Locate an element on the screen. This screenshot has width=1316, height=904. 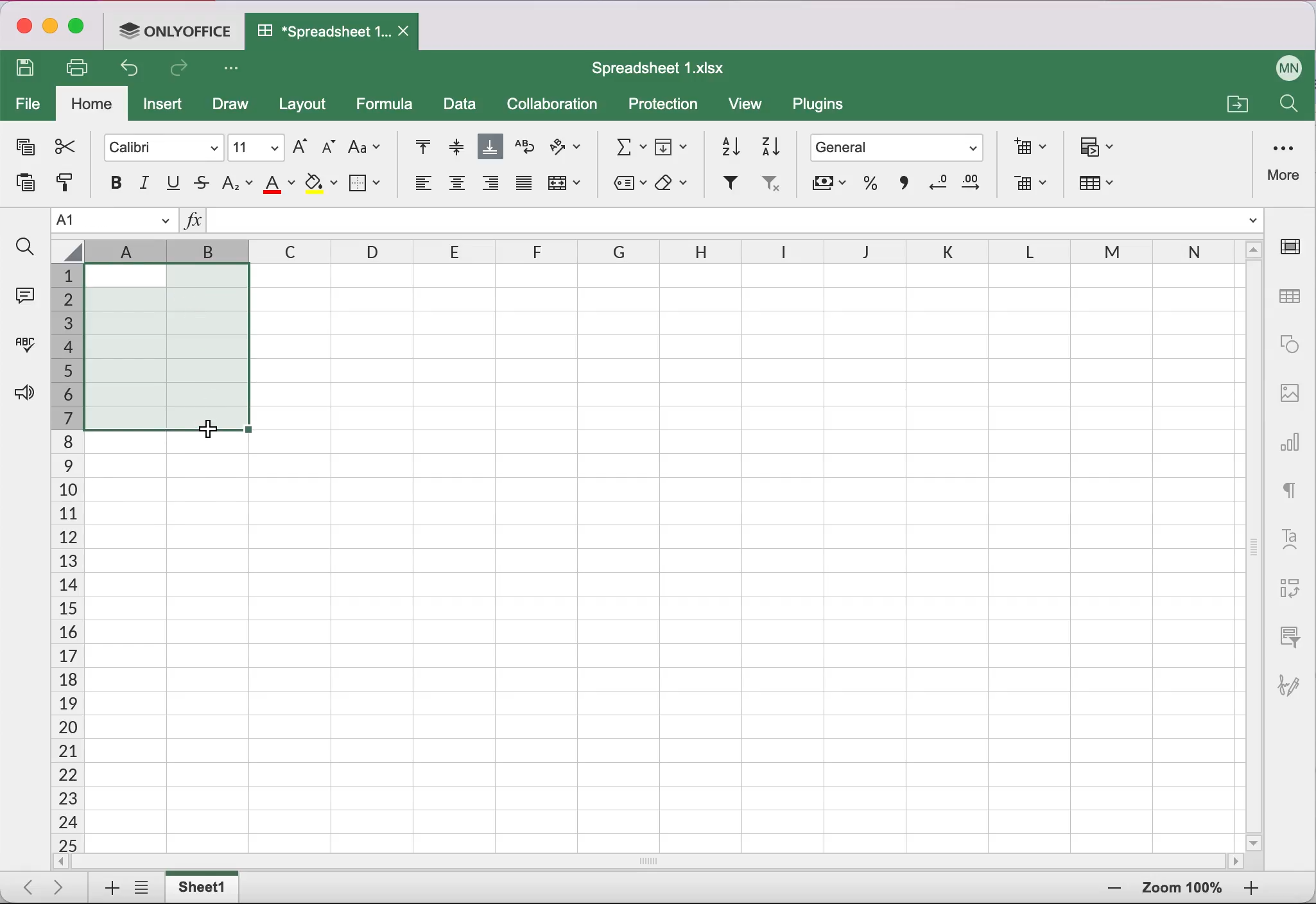
insert is located at coordinates (166, 107).